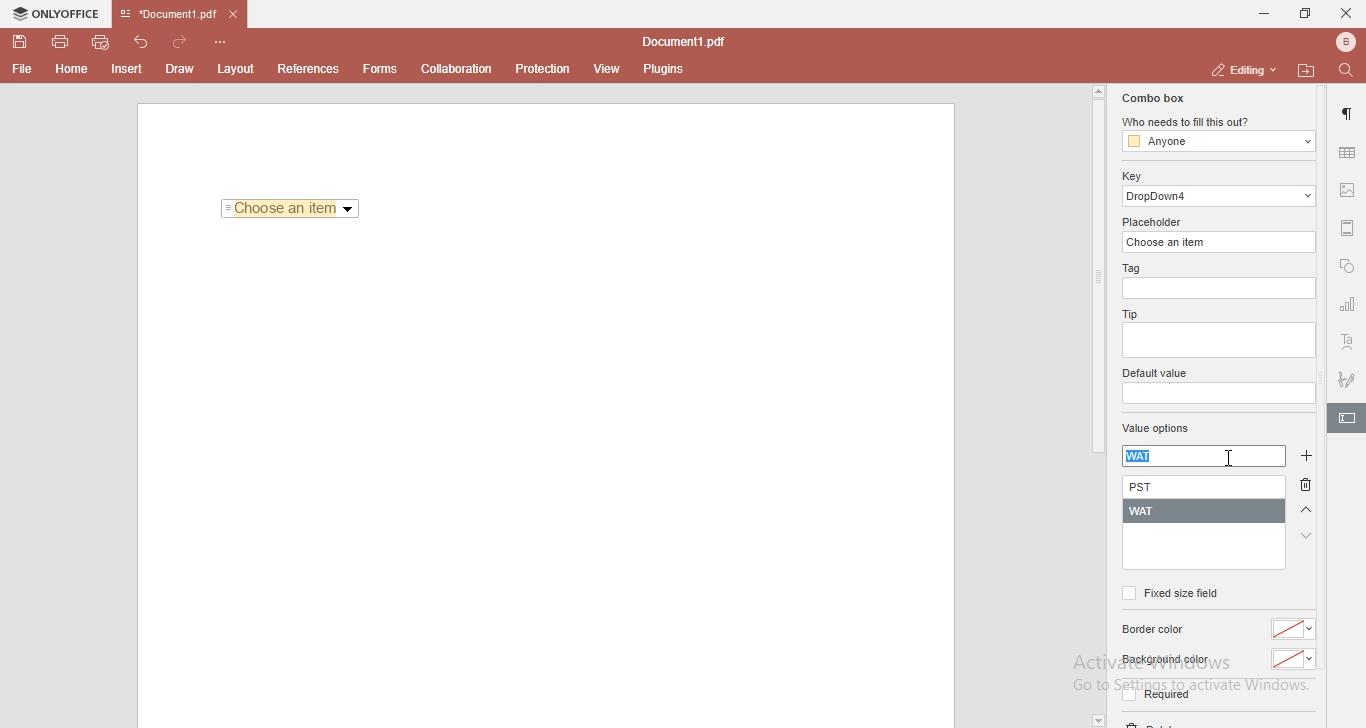 This screenshot has height=728, width=1366. What do you see at coordinates (102, 41) in the screenshot?
I see `quick print` at bounding box center [102, 41].